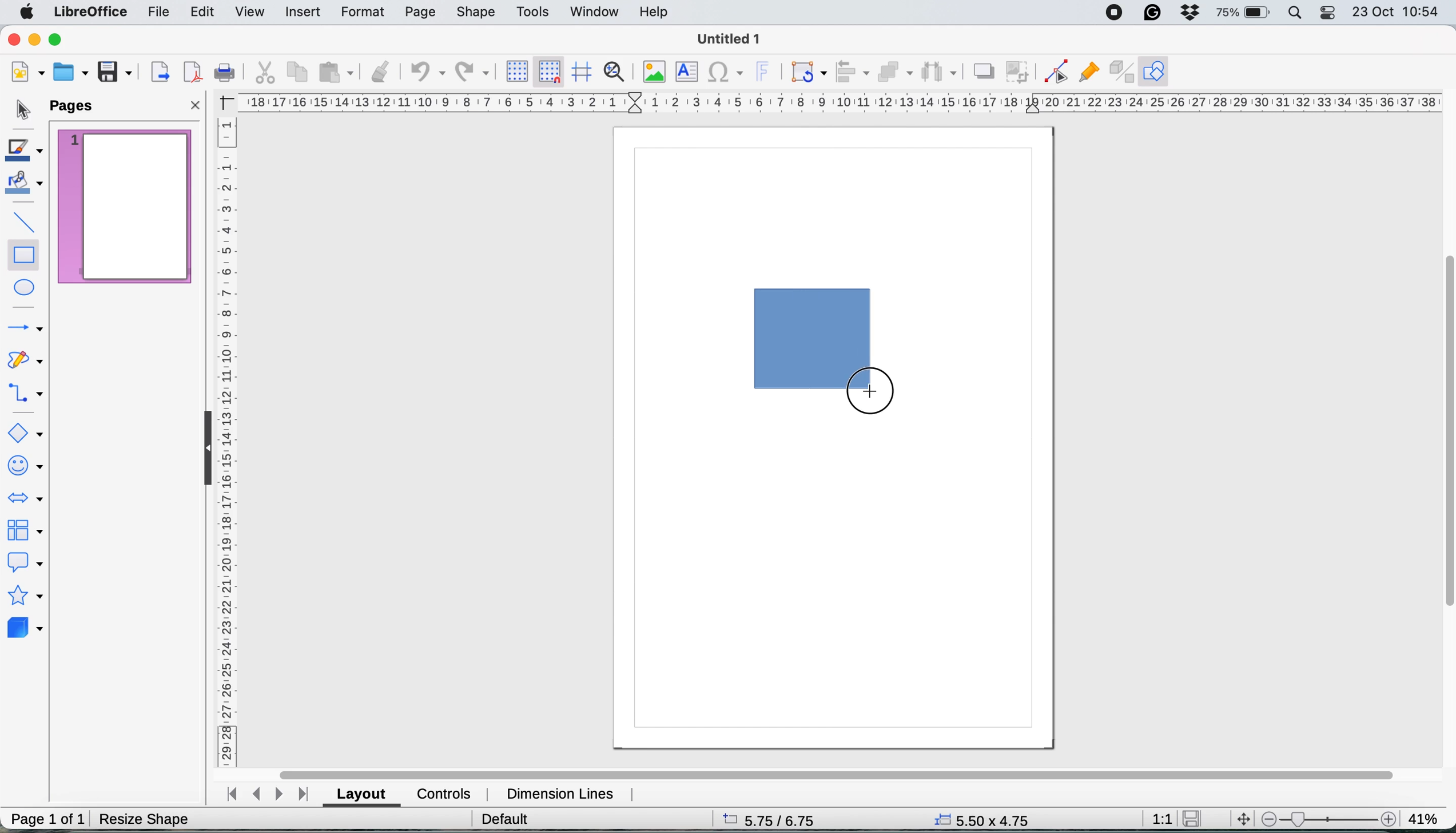 The width and height of the screenshot is (1456, 833). I want to click on show gluepoint functions, so click(1086, 71).